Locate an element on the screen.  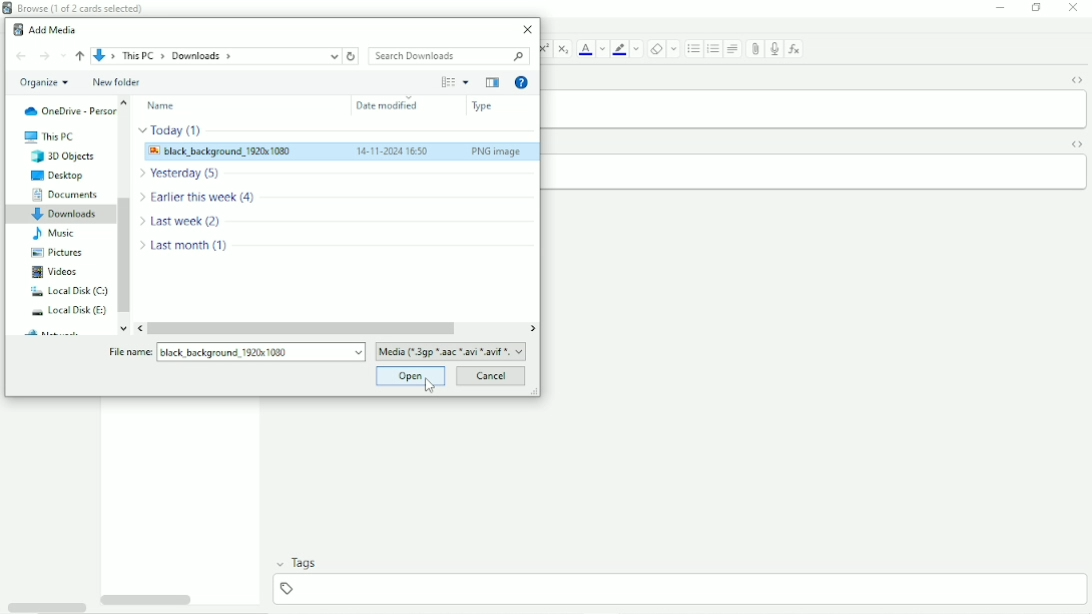
3D Objects is located at coordinates (63, 157).